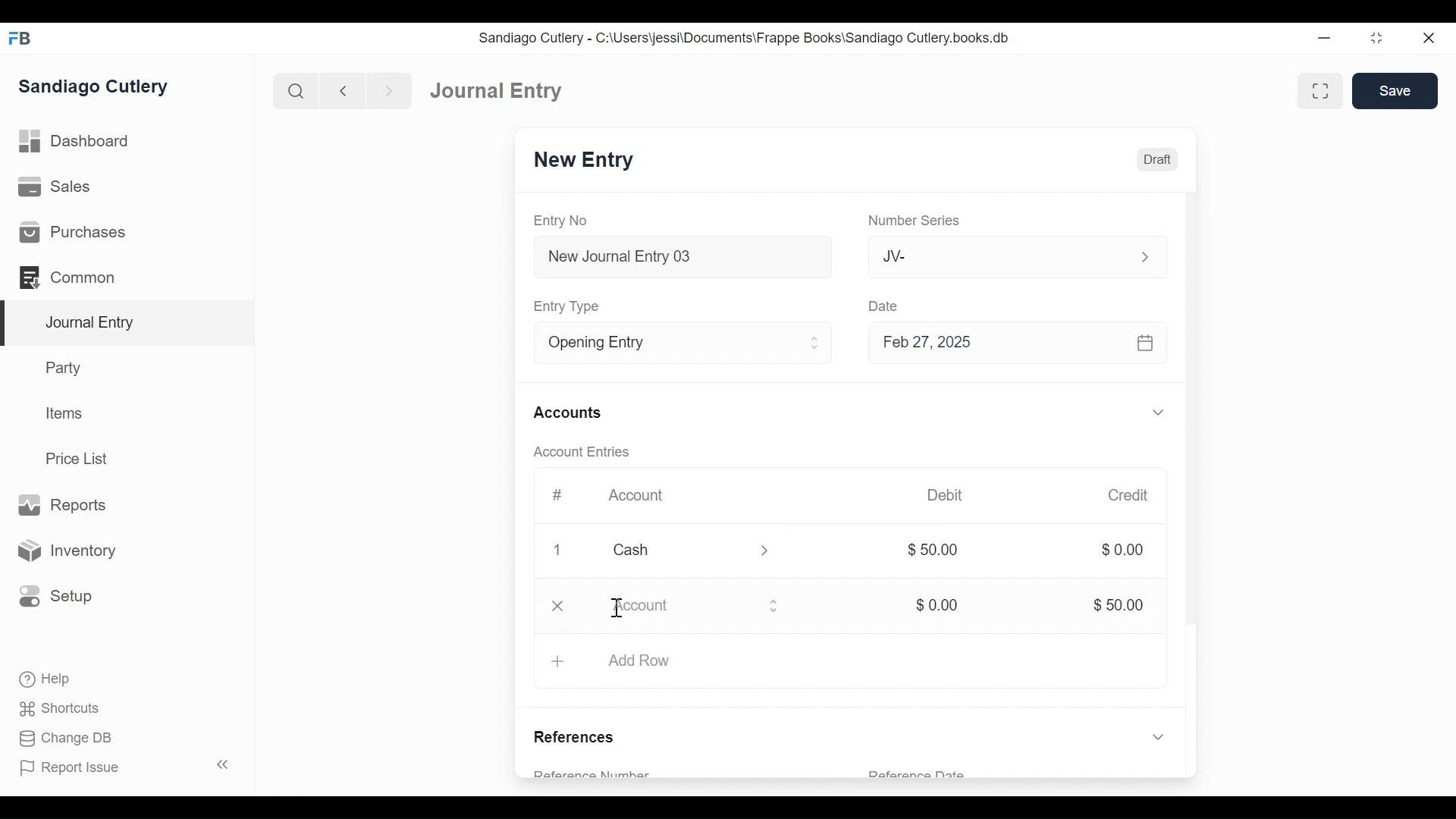 This screenshot has height=819, width=1456. I want to click on Minimize, so click(1326, 37).